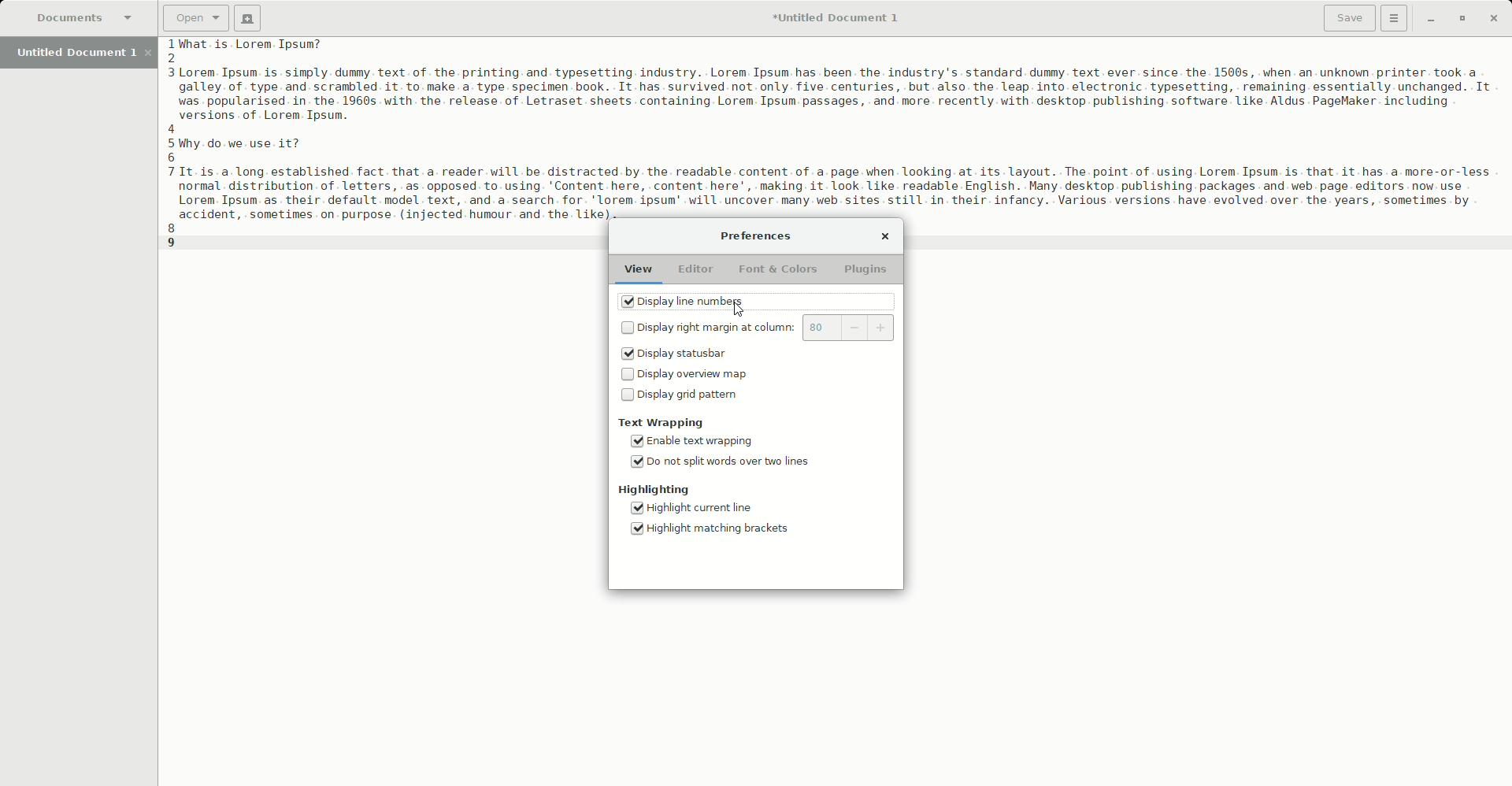  What do you see at coordinates (709, 443) in the screenshot?
I see `Enable text wrapping` at bounding box center [709, 443].